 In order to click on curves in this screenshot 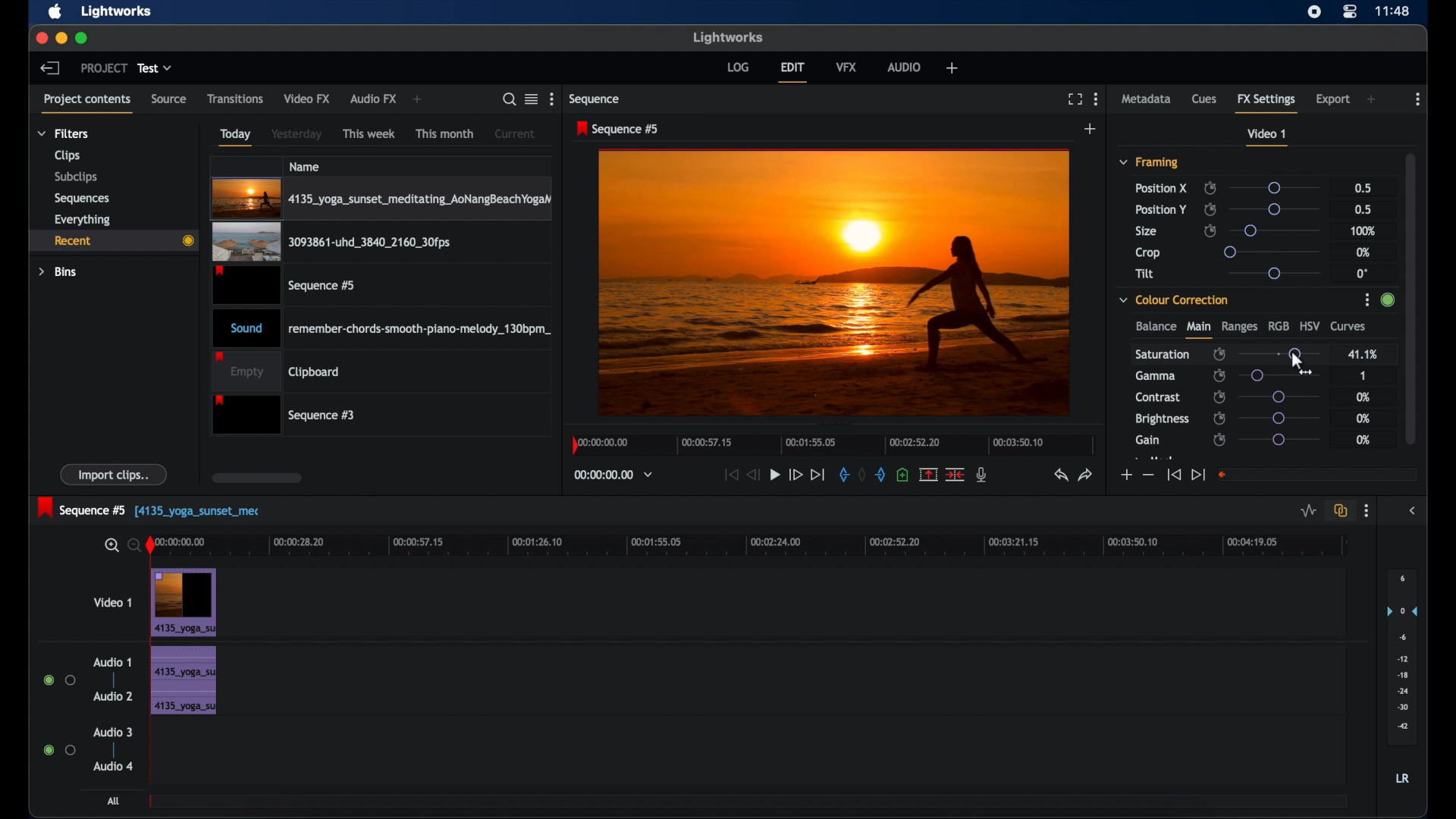, I will do `click(1350, 327)`.